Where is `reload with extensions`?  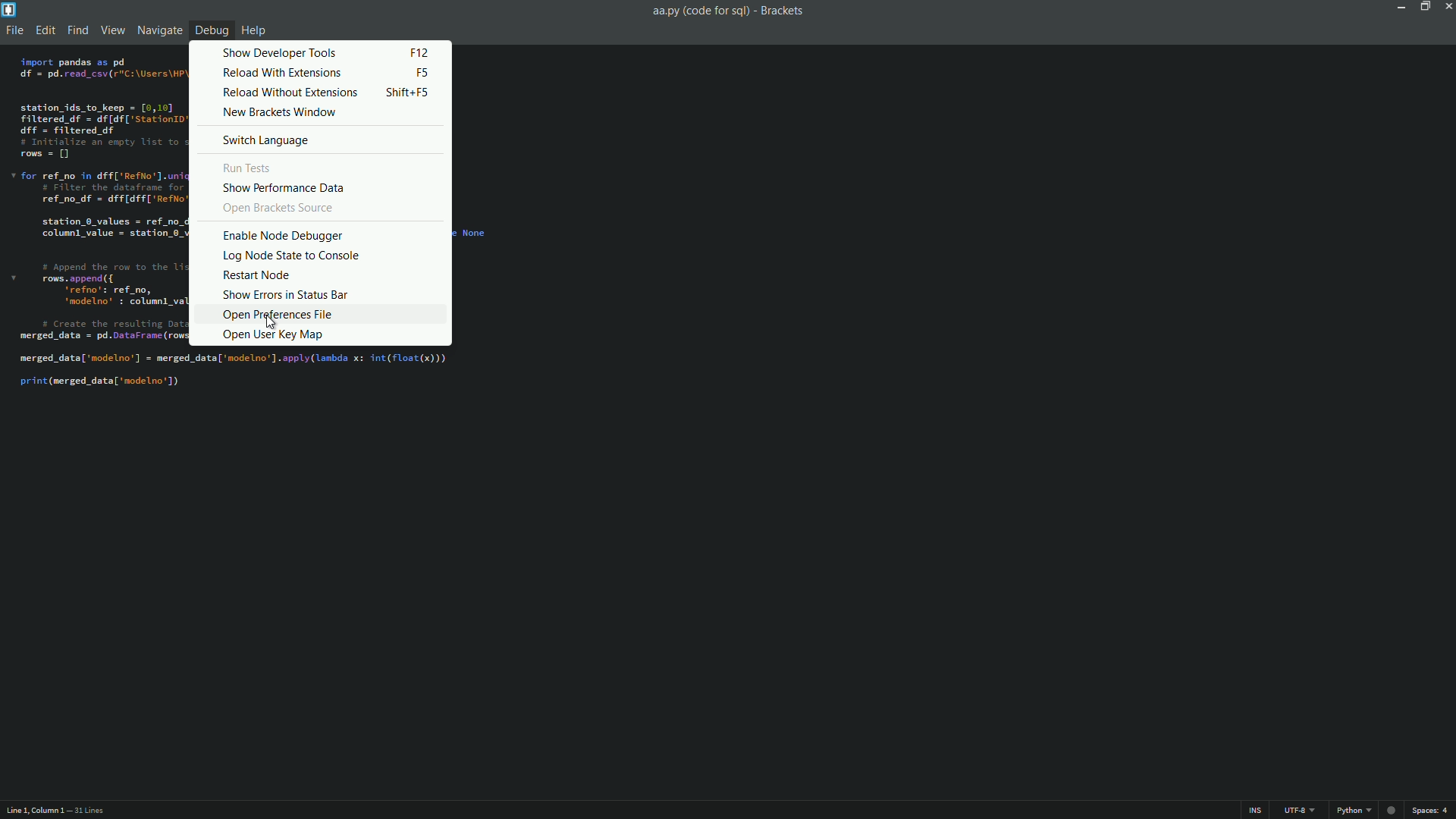
reload with extensions is located at coordinates (281, 71).